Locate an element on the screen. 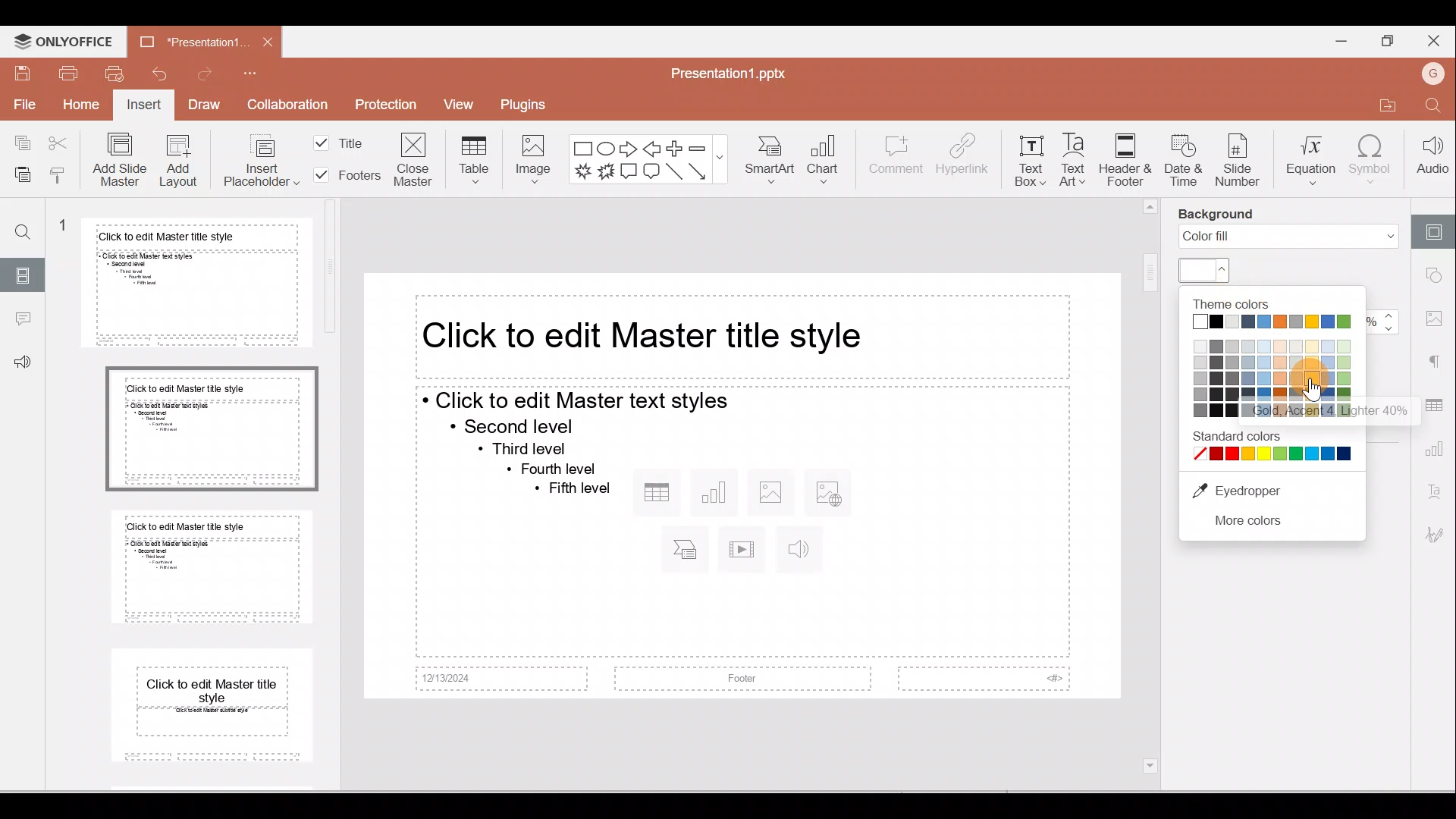  Plugins is located at coordinates (537, 105).